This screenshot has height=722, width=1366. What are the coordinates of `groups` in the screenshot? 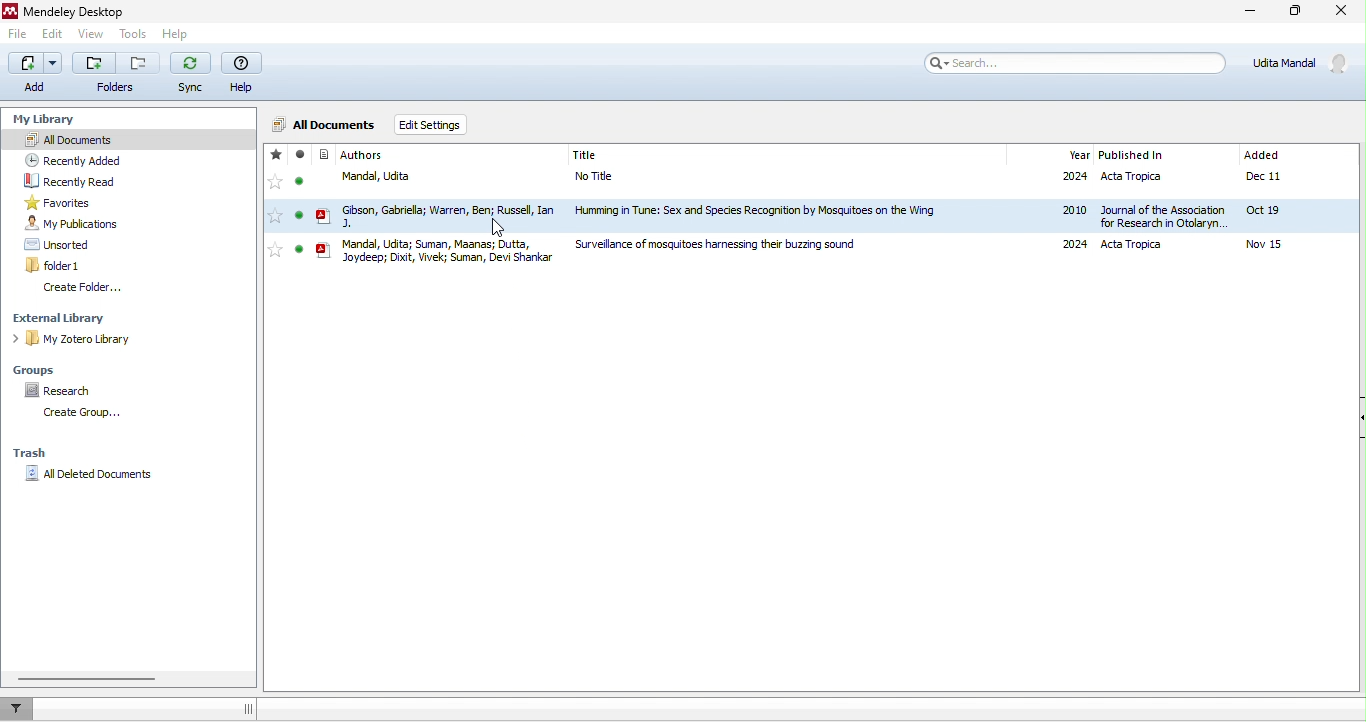 It's located at (37, 368).